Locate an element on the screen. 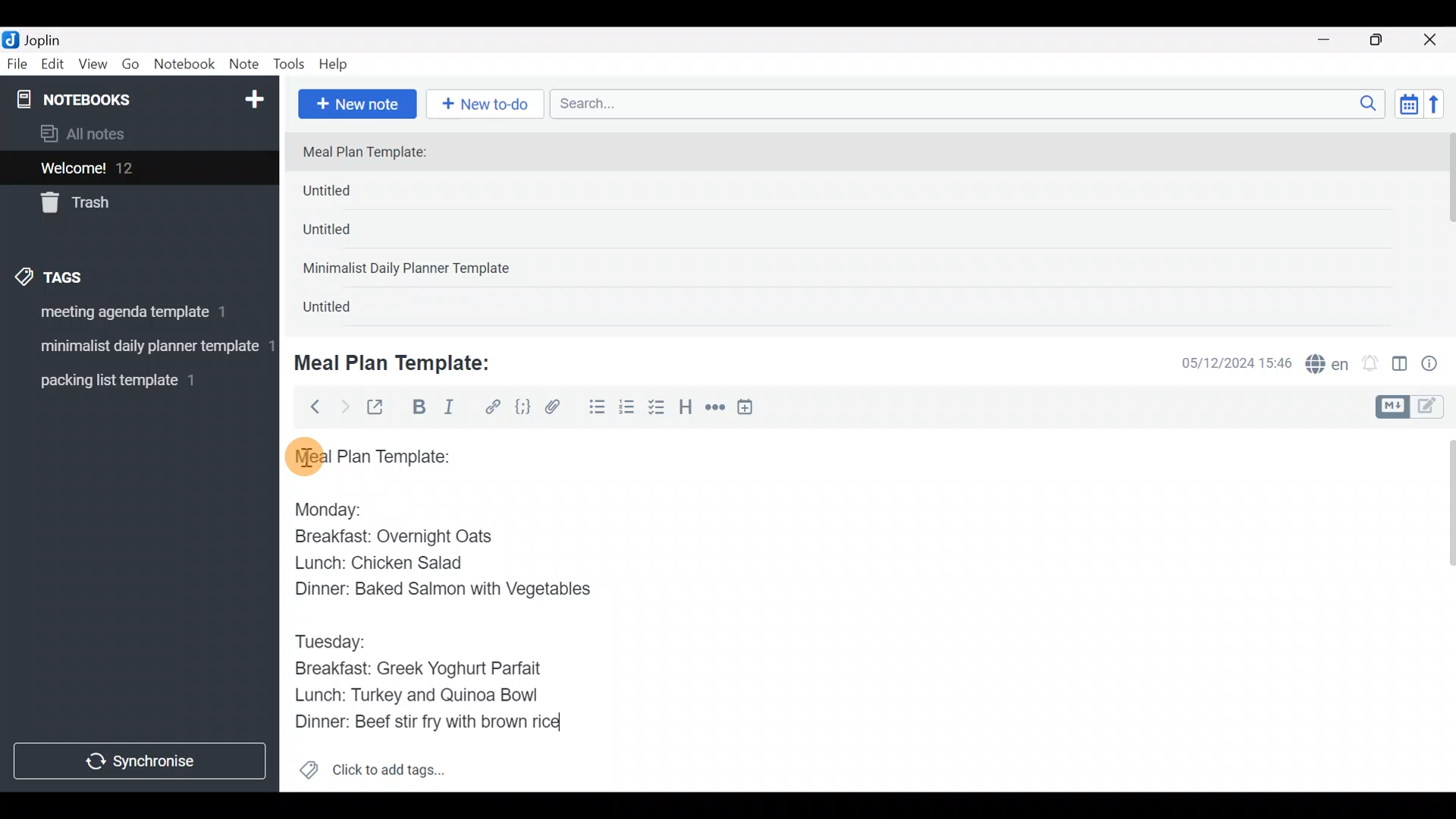 Image resolution: width=1456 pixels, height=819 pixels. Dinner: Beef stir fry with brown rice is located at coordinates (425, 726).